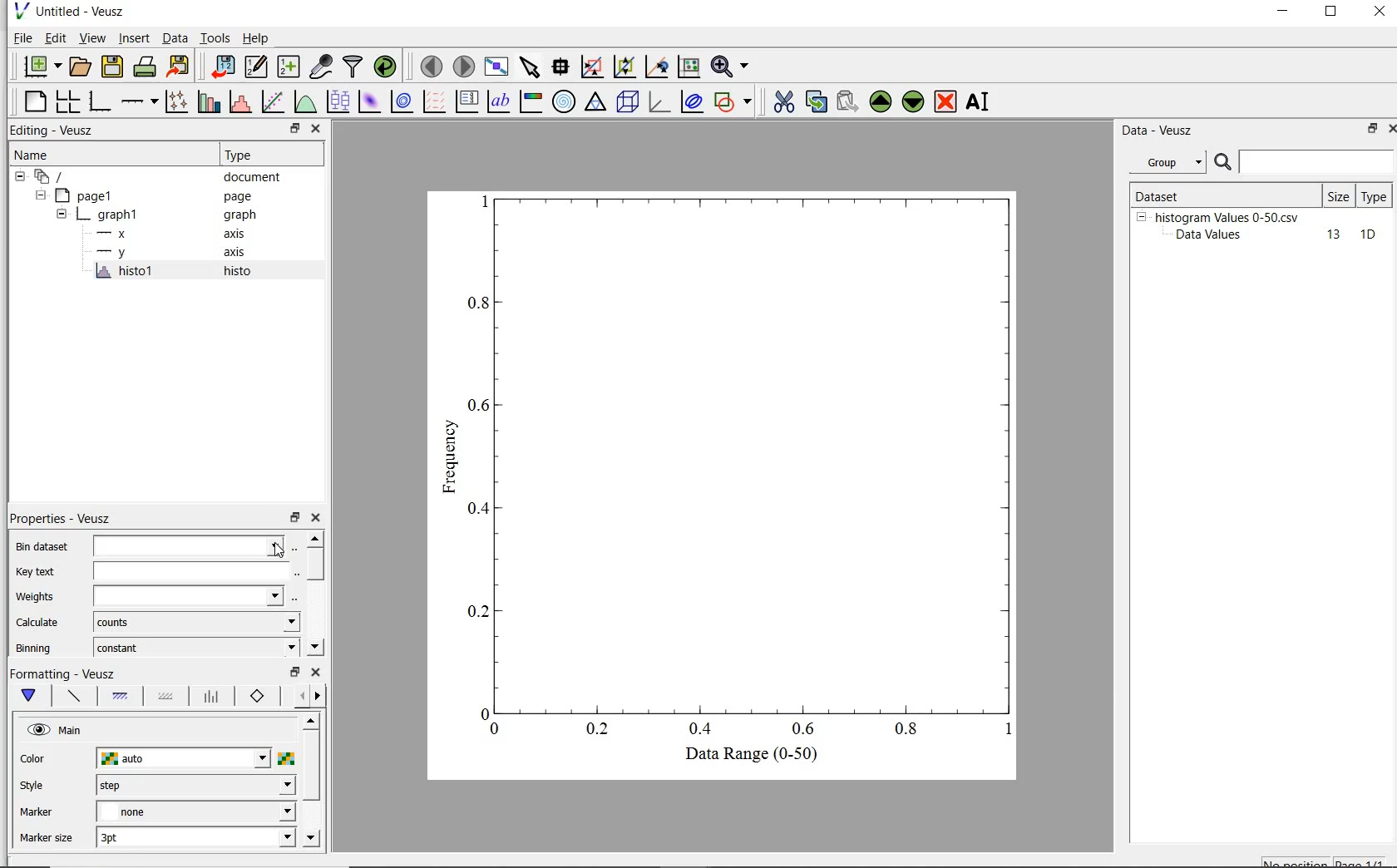 The image size is (1397, 868). Describe the element at coordinates (1184, 194) in the screenshot. I see `Dataset` at that location.